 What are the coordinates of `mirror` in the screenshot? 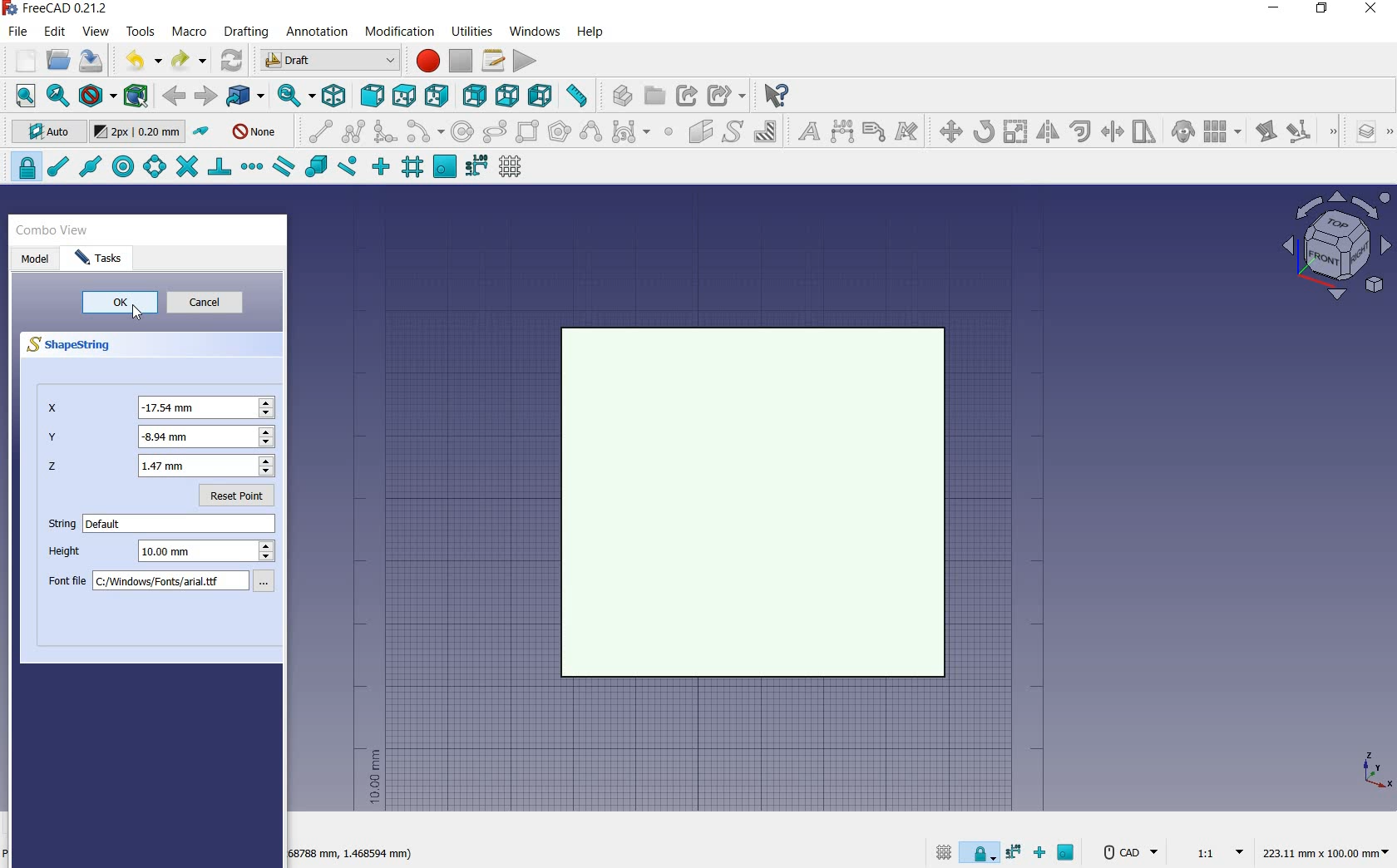 It's located at (1046, 133).